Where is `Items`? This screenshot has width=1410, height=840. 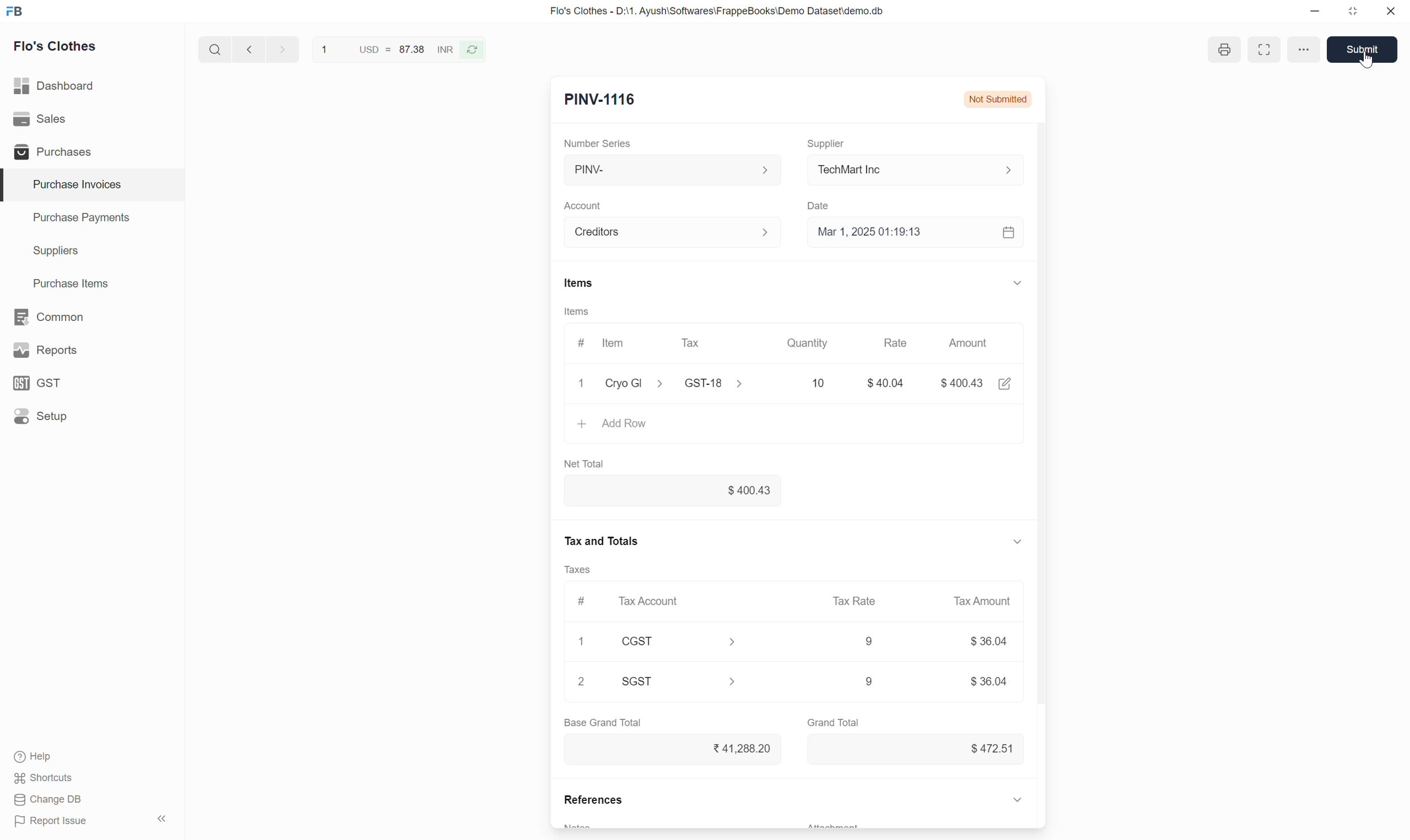 Items is located at coordinates (578, 283).